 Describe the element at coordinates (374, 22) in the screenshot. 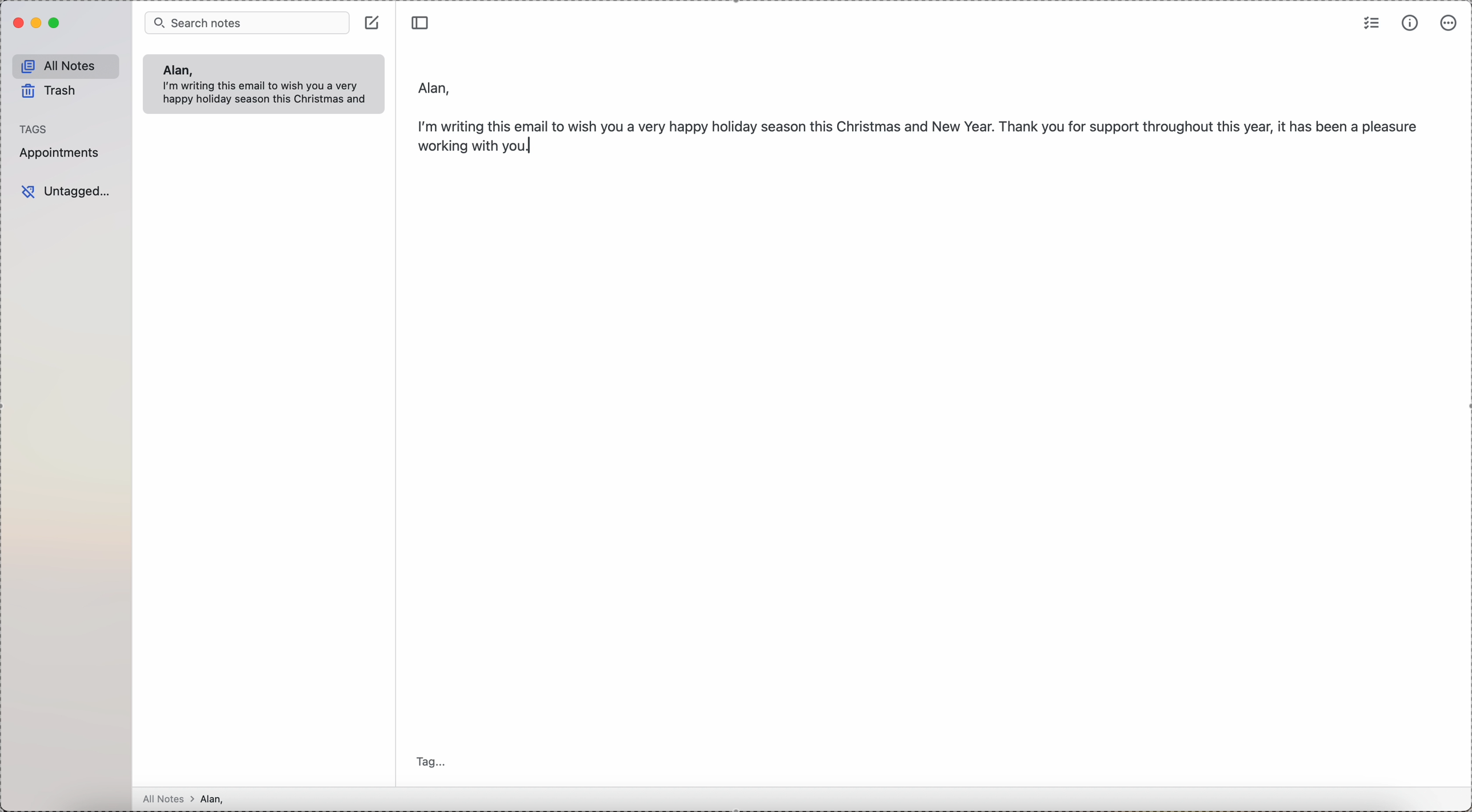

I see `create note` at that location.